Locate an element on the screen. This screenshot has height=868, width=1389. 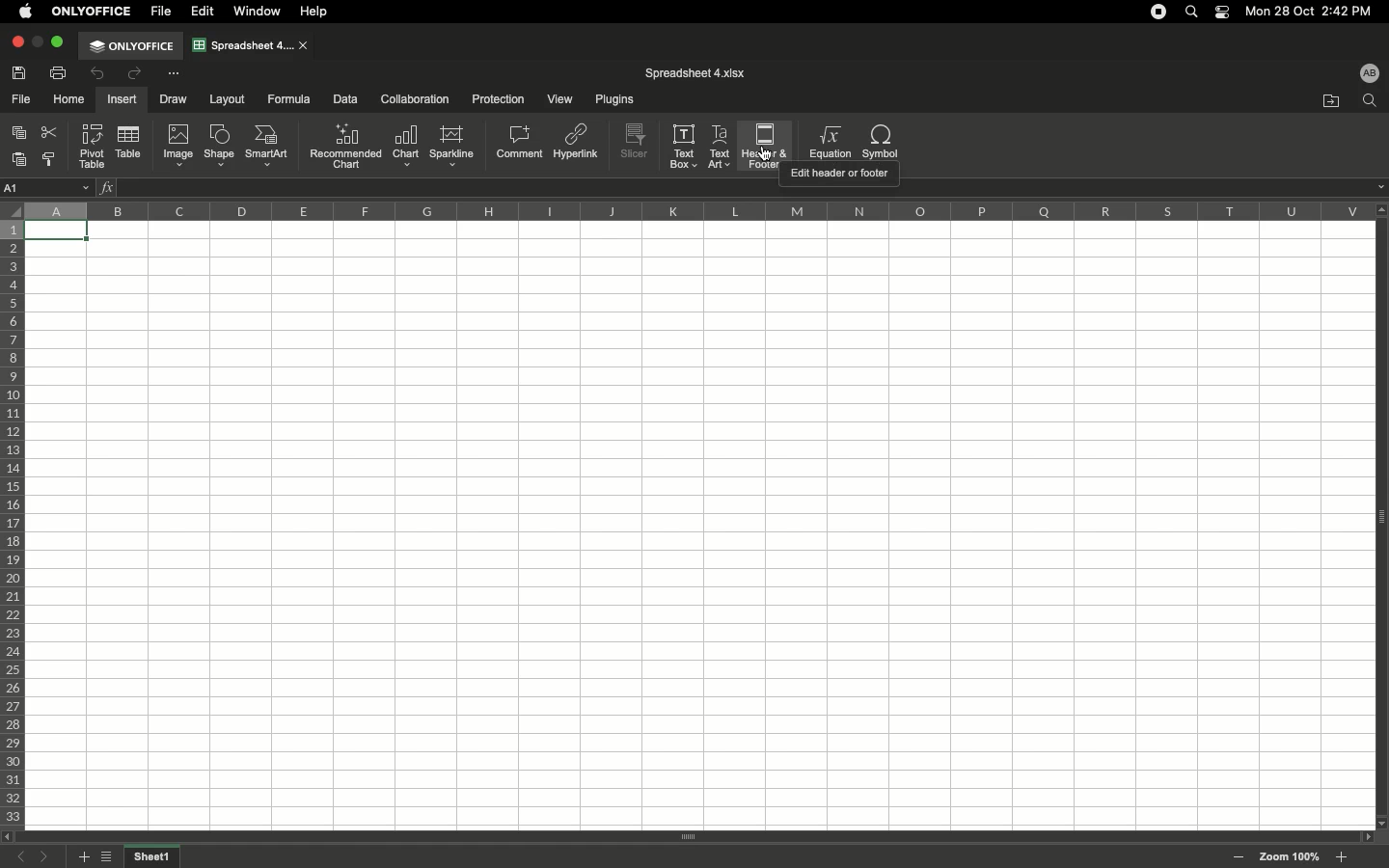
Zoom in is located at coordinates (1341, 857).